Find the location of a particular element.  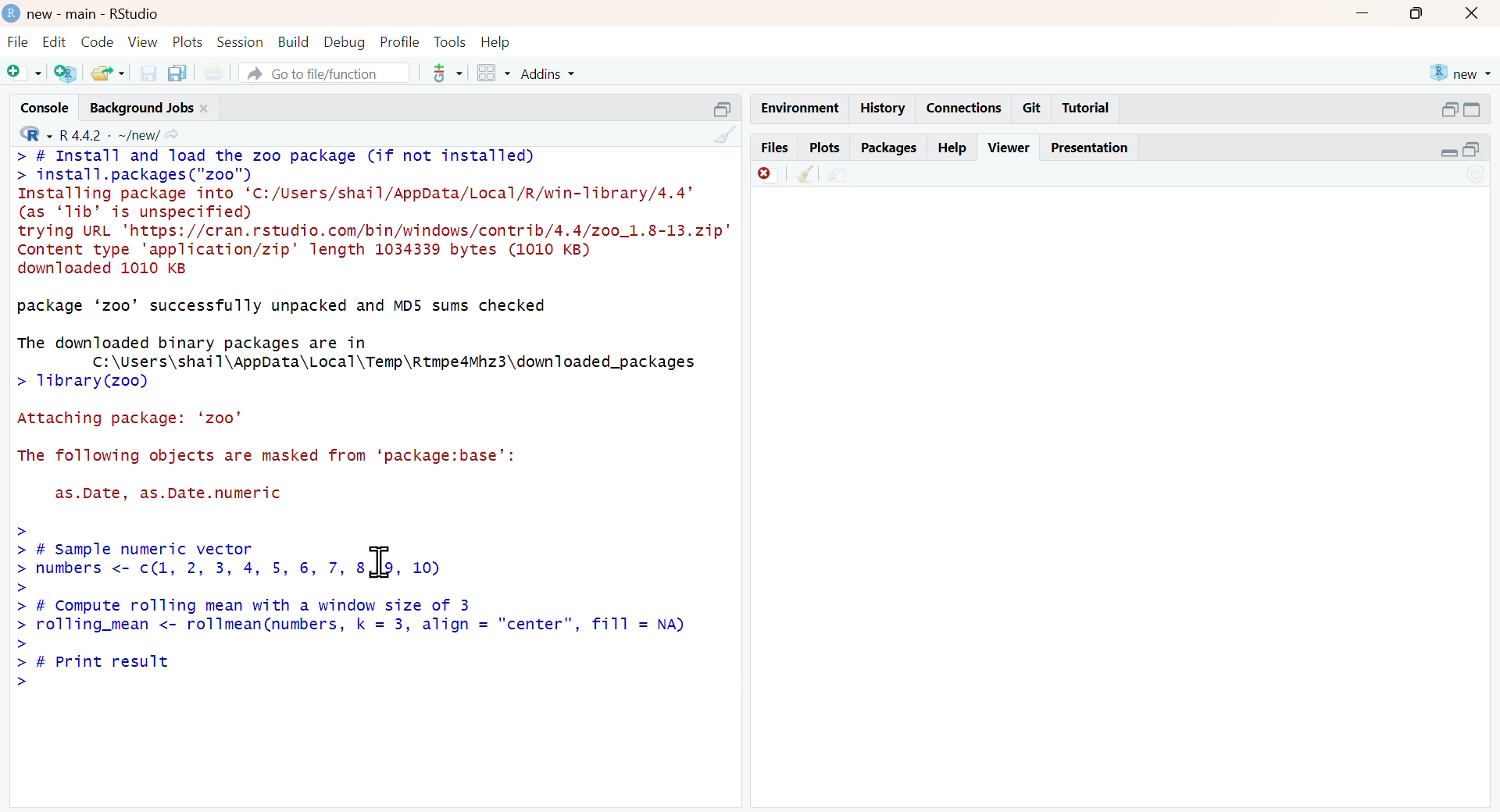

file is located at coordinates (18, 41).